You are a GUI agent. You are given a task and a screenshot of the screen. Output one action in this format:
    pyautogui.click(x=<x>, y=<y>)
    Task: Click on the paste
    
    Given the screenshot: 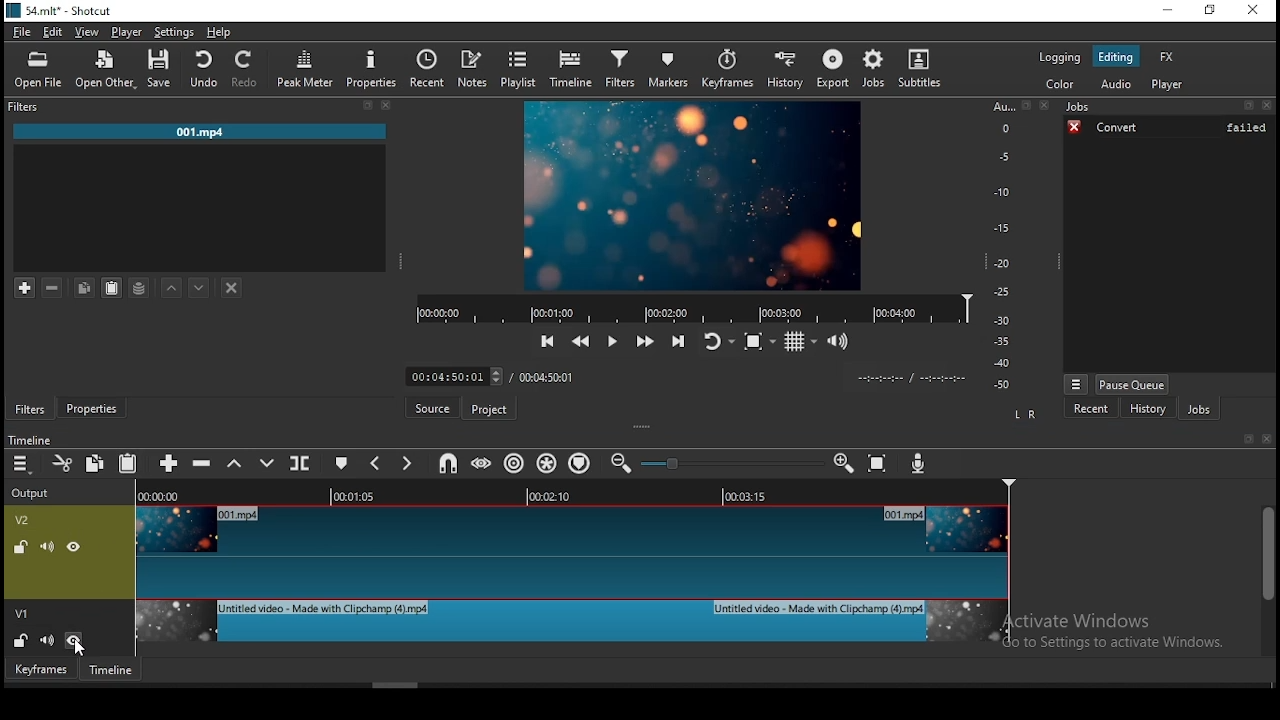 What is the action you would take?
    pyautogui.click(x=111, y=287)
    